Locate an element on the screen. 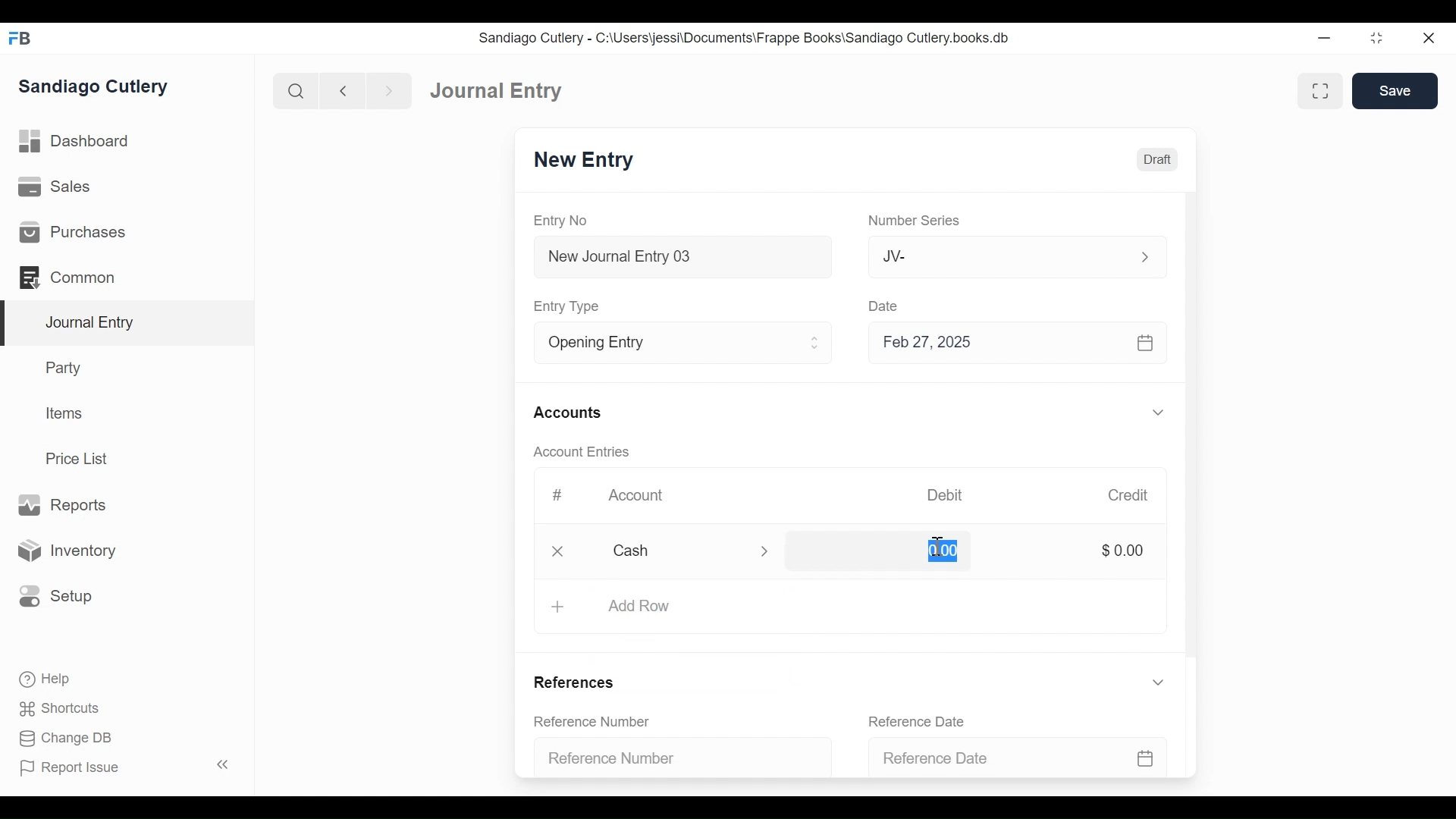 This screenshot has width=1456, height=819. + Add Row is located at coordinates (615, 607).